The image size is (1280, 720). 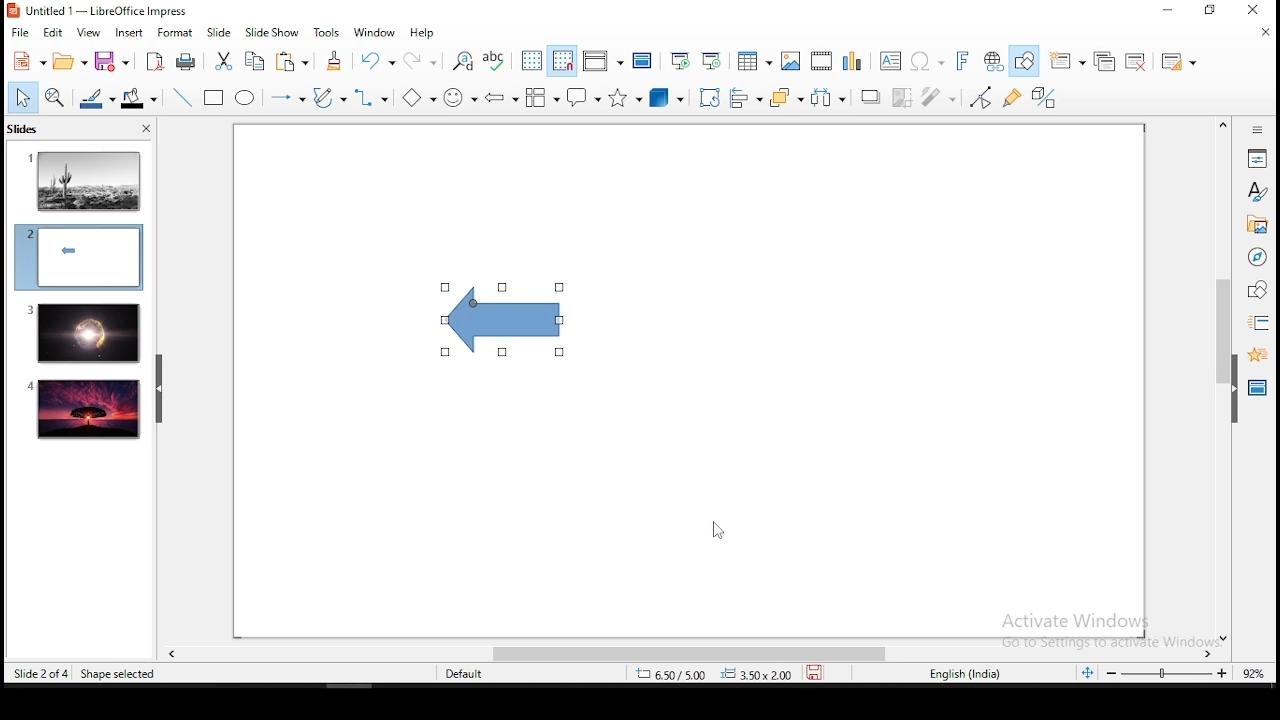 What do you see at coordinates (1257, 227) in the screenshot?
I see `gallery` at bounding box center [1257, 227].